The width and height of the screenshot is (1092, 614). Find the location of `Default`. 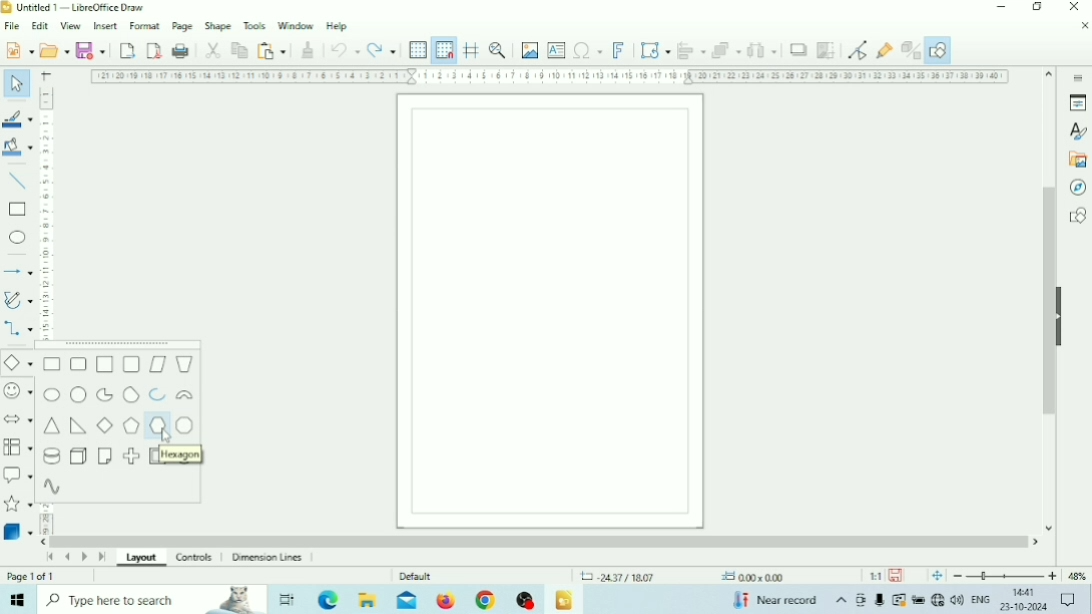

Default is located at coordinates (416, 576).